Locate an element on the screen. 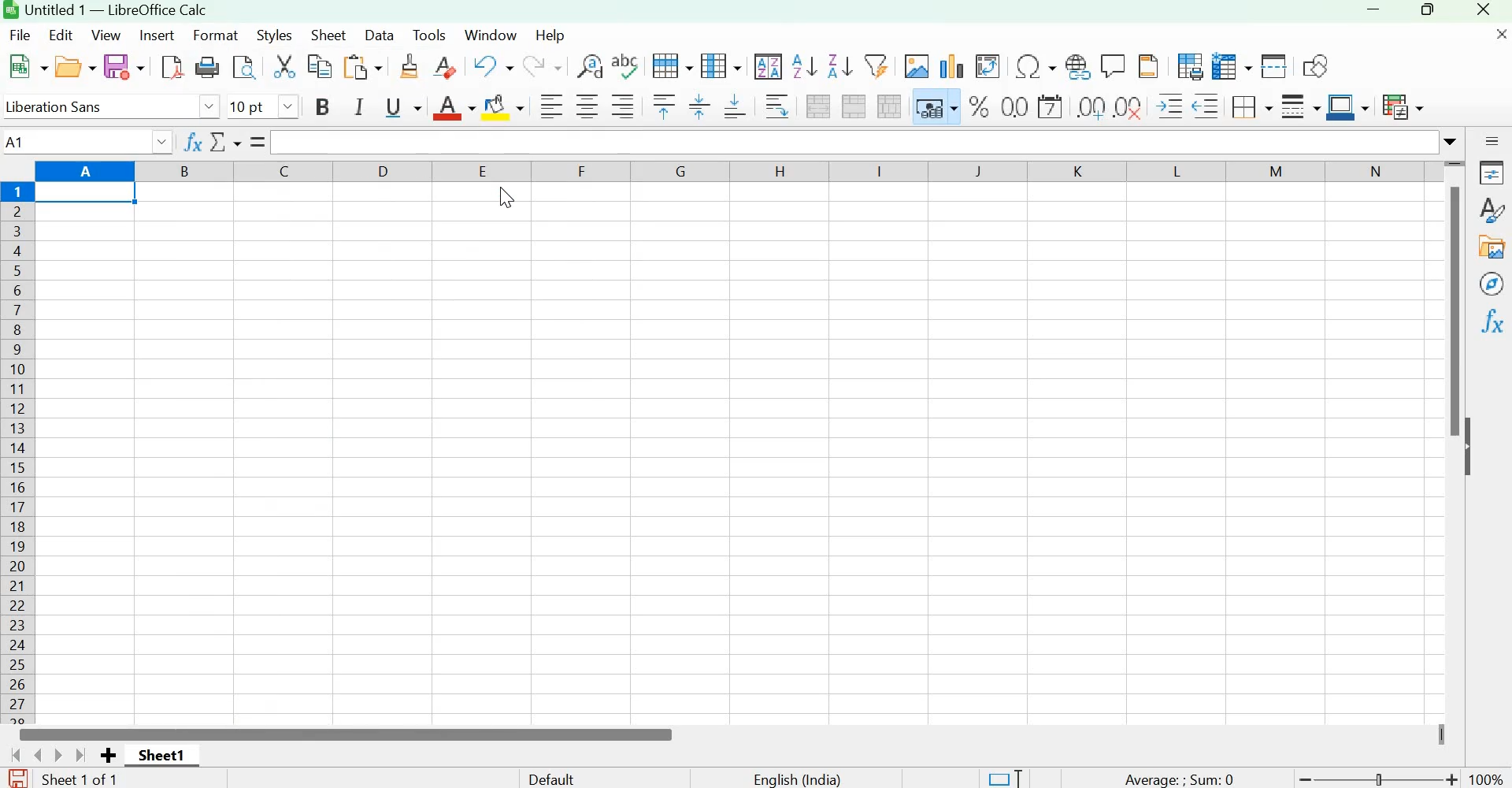 This screenshot has width=1512, height=788. Functions is located at coordinates (1494, 320).